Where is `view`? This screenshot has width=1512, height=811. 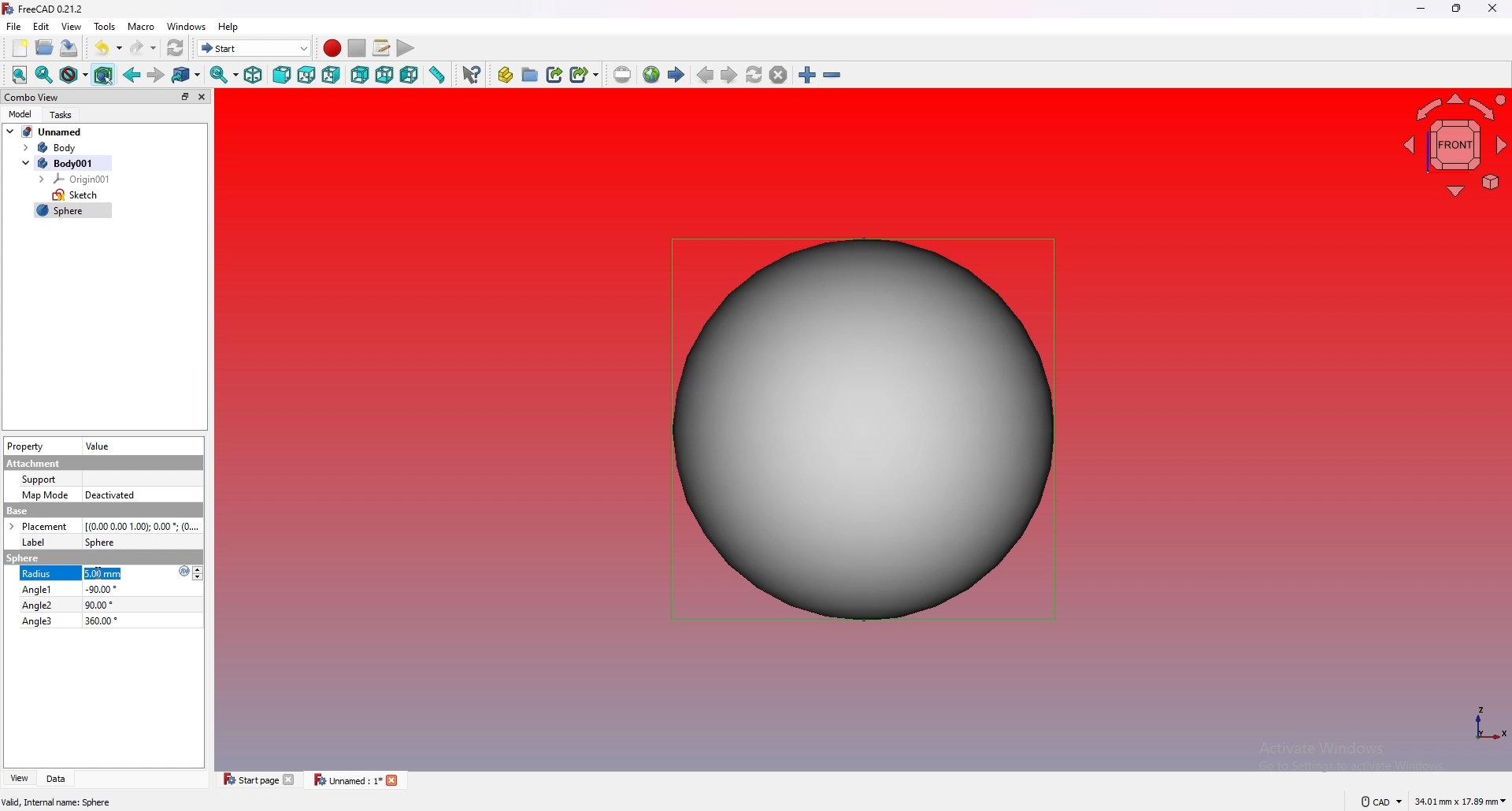
view is located at coordinates (71, 27).